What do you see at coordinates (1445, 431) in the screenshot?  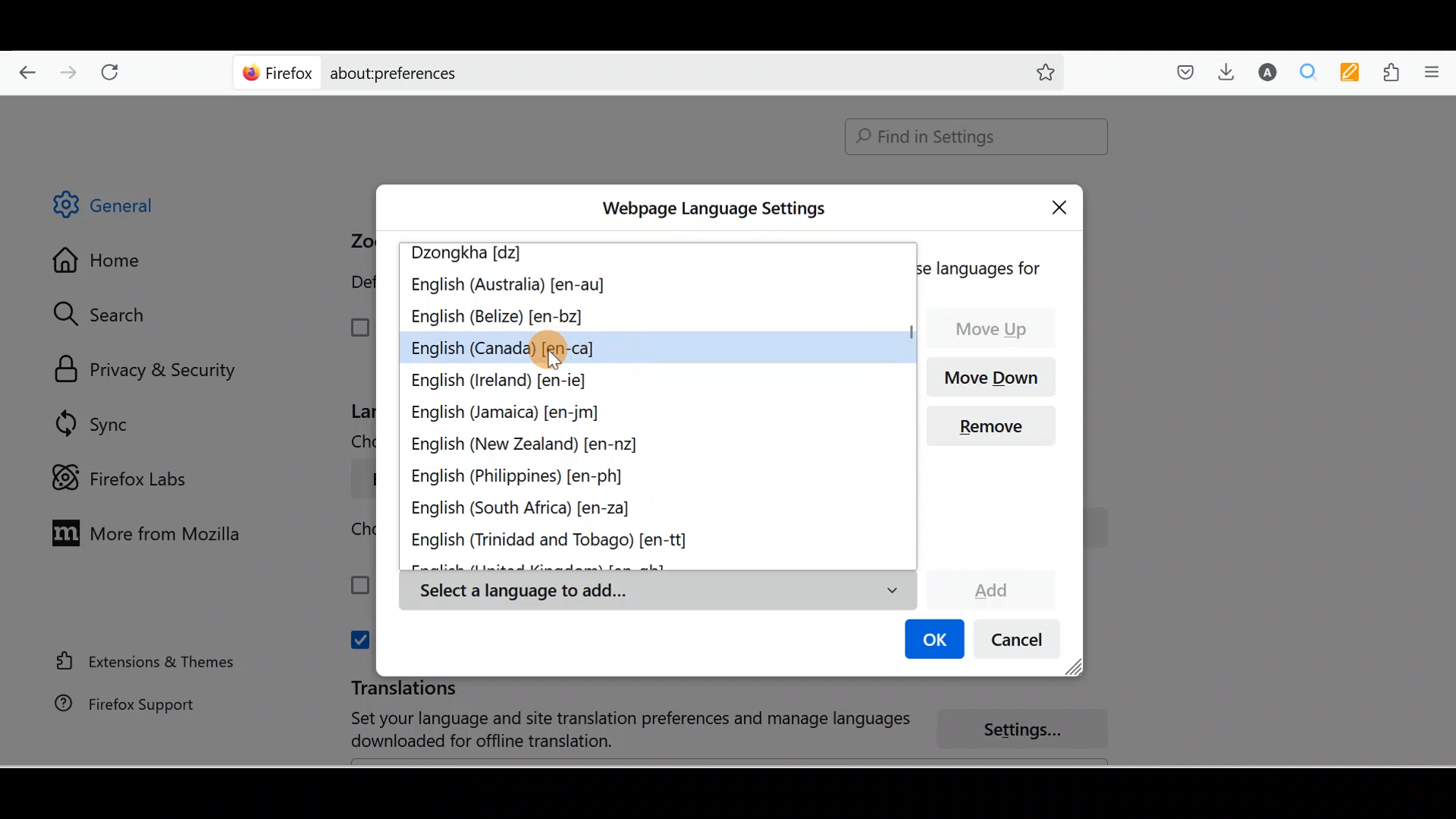 I see `Scroll bar` at bounding box center [1445, 431].